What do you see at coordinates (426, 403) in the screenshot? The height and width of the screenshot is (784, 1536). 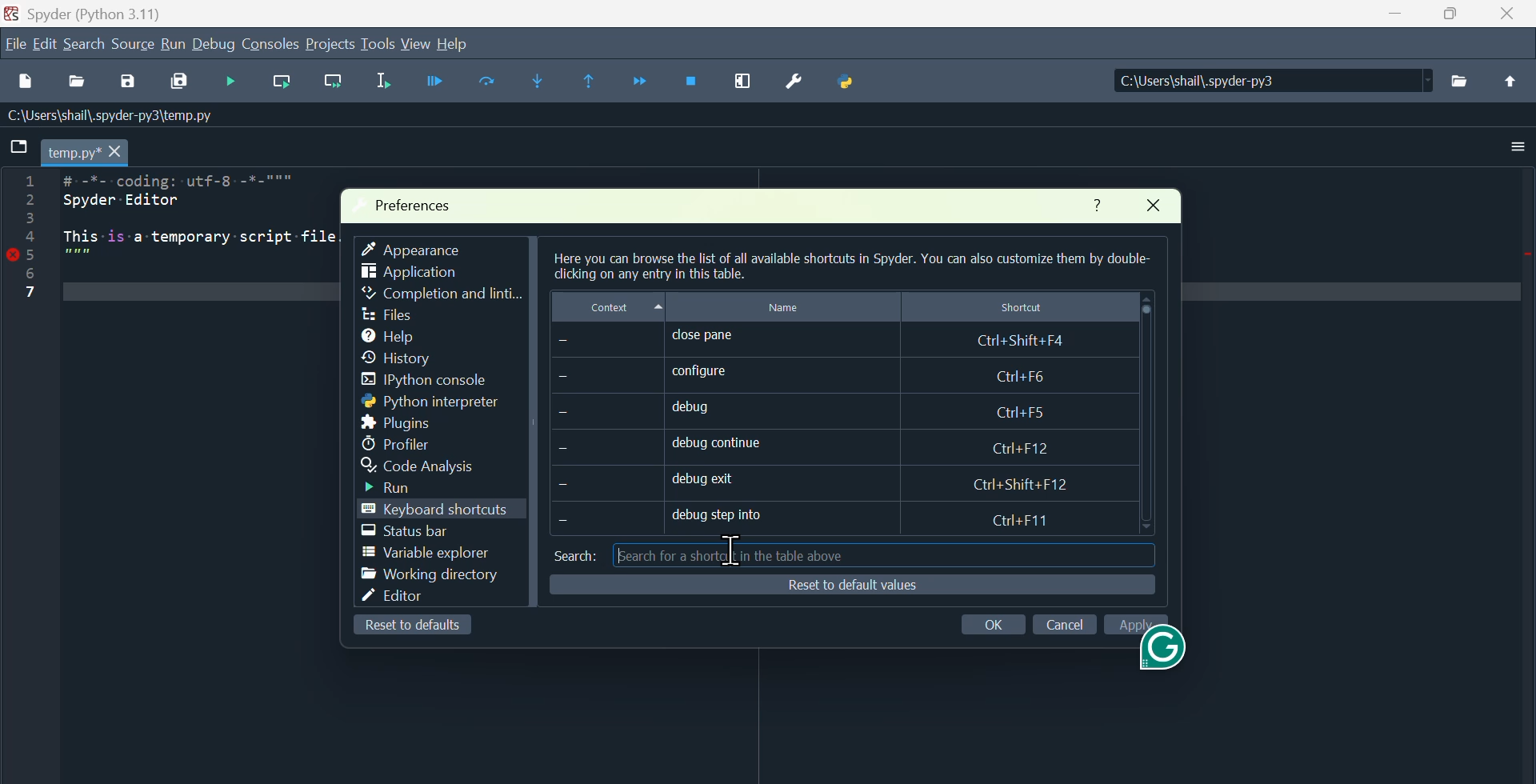 I see `Python interpreter` at bounding box center [426, 403].